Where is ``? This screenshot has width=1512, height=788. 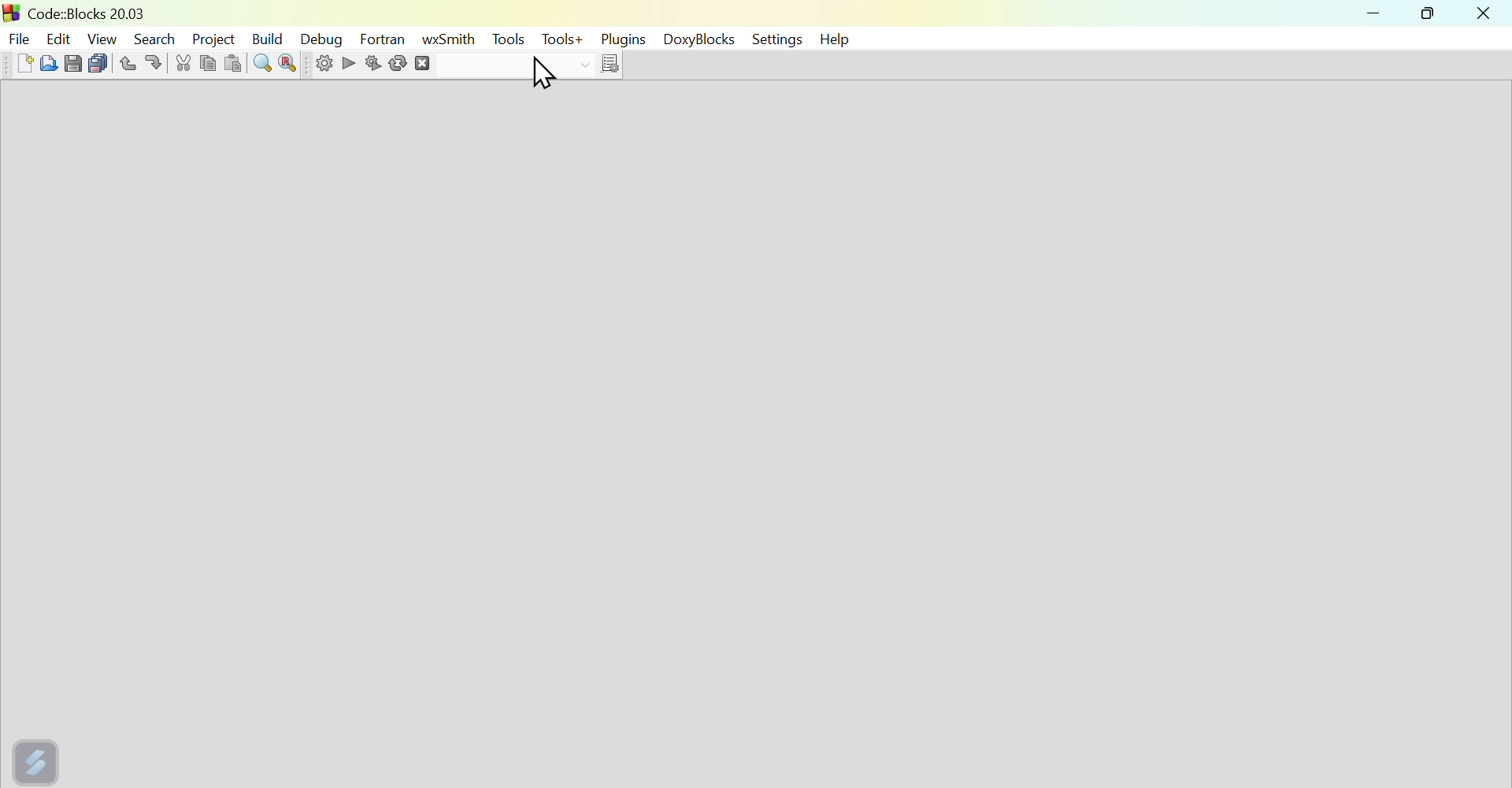
 is located at coordinates (184, 62).